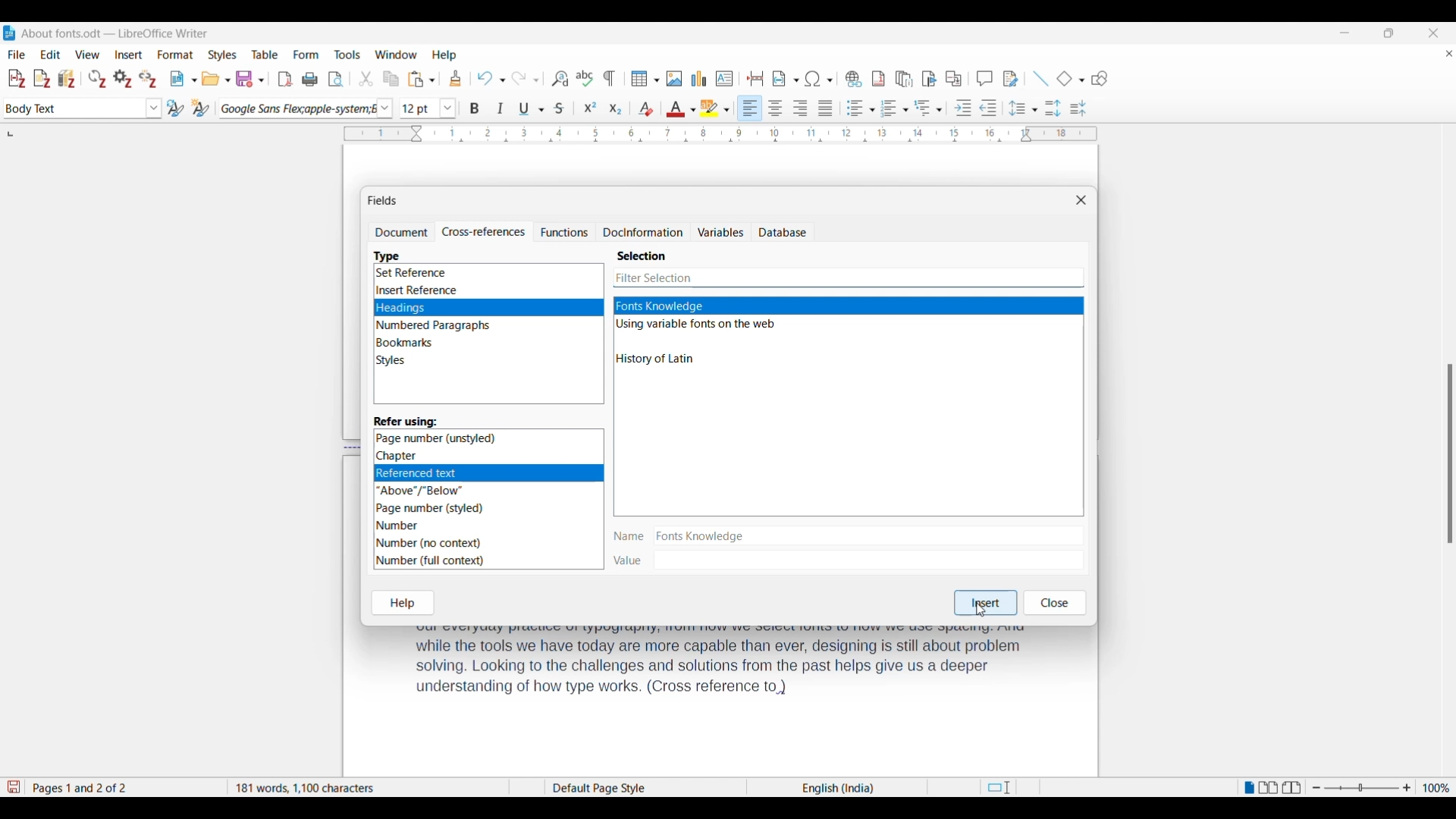  Describe the element at coordinates (123, 79) in the screenshot. I see `Set document preferences` at that location.